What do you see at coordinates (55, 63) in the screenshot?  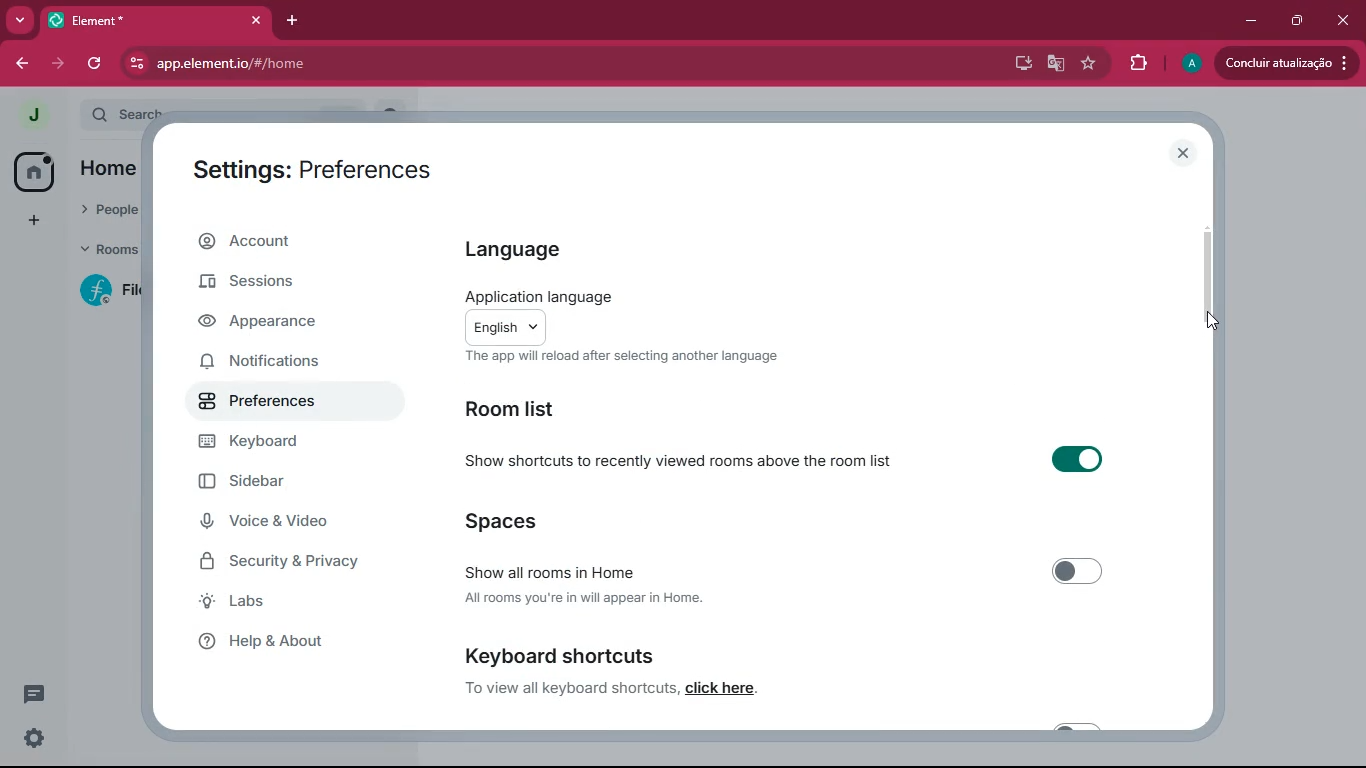 I see `forward` at bounding box center [55, 63].